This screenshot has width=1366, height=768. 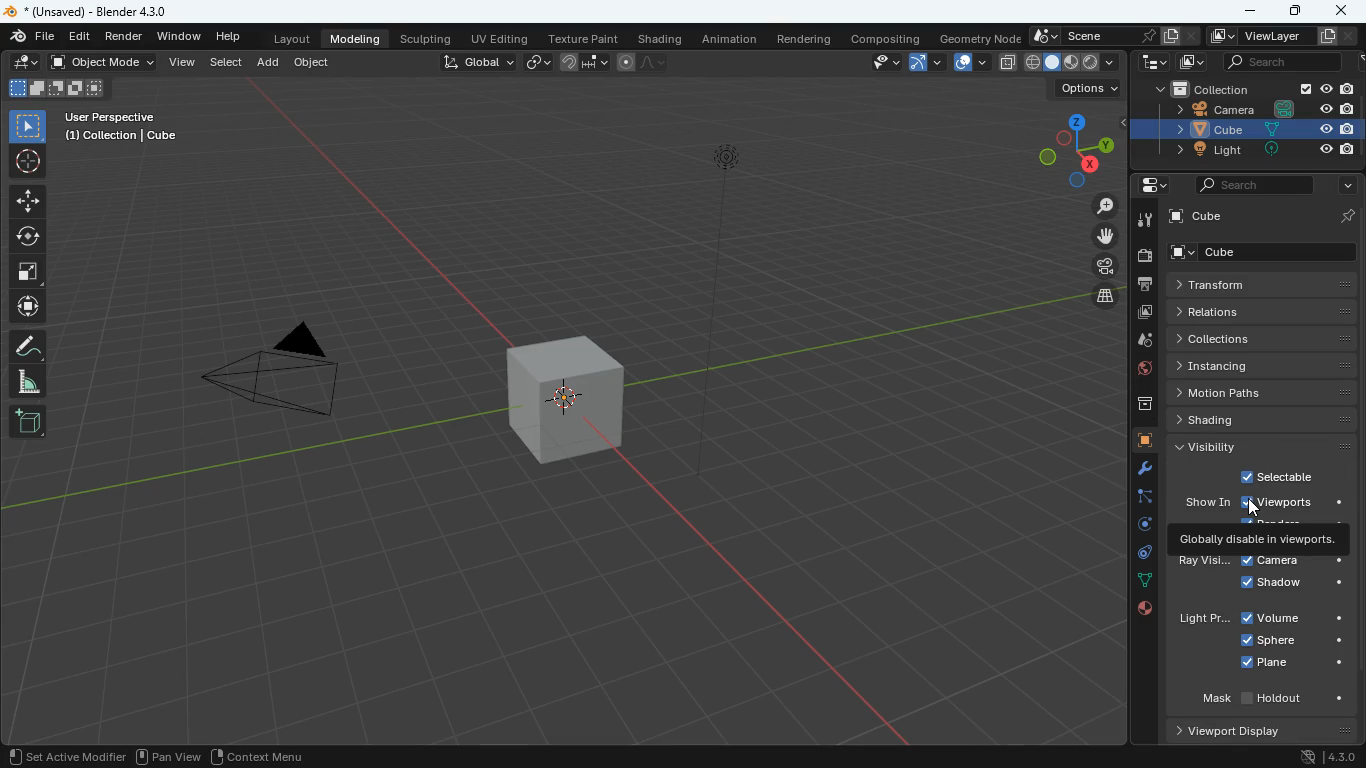 What do you see at coordinates (1291, 585) in the screenshot?
I see `shadow` at bounding box center [1291, 585].